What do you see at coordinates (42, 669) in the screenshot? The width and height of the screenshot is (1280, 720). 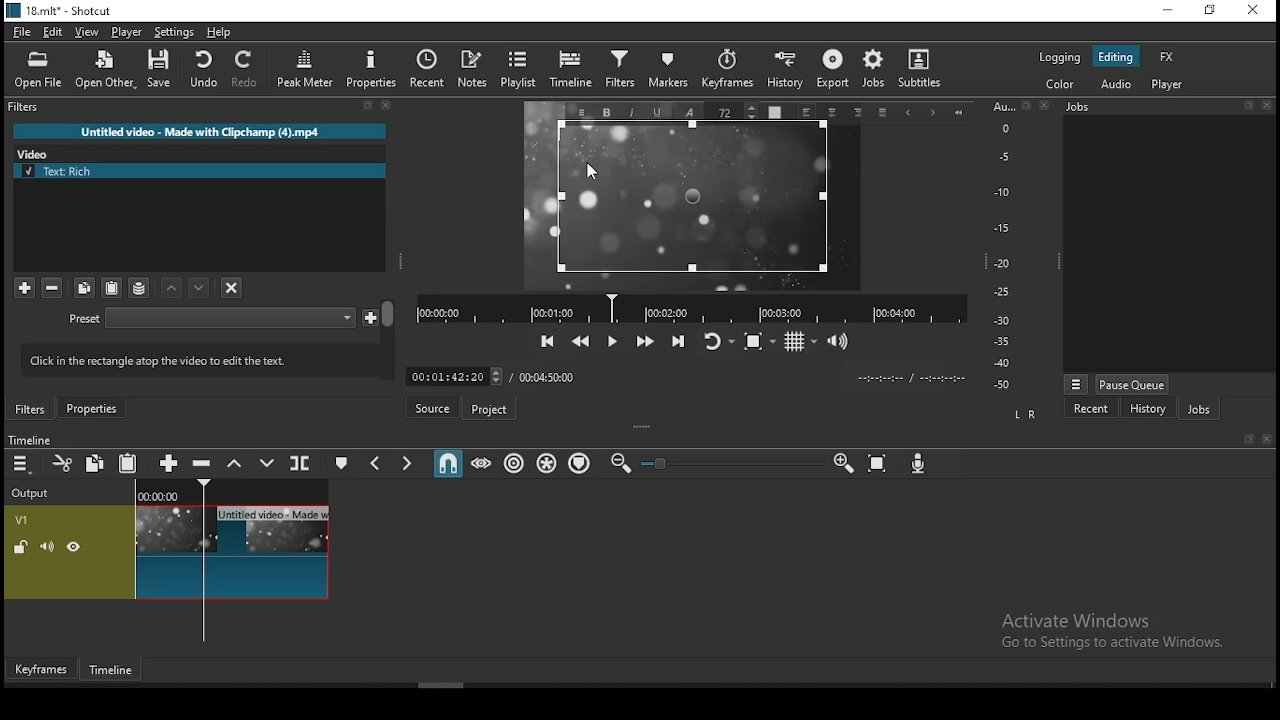 I see `keyframes` at bounding box center [42, 669].